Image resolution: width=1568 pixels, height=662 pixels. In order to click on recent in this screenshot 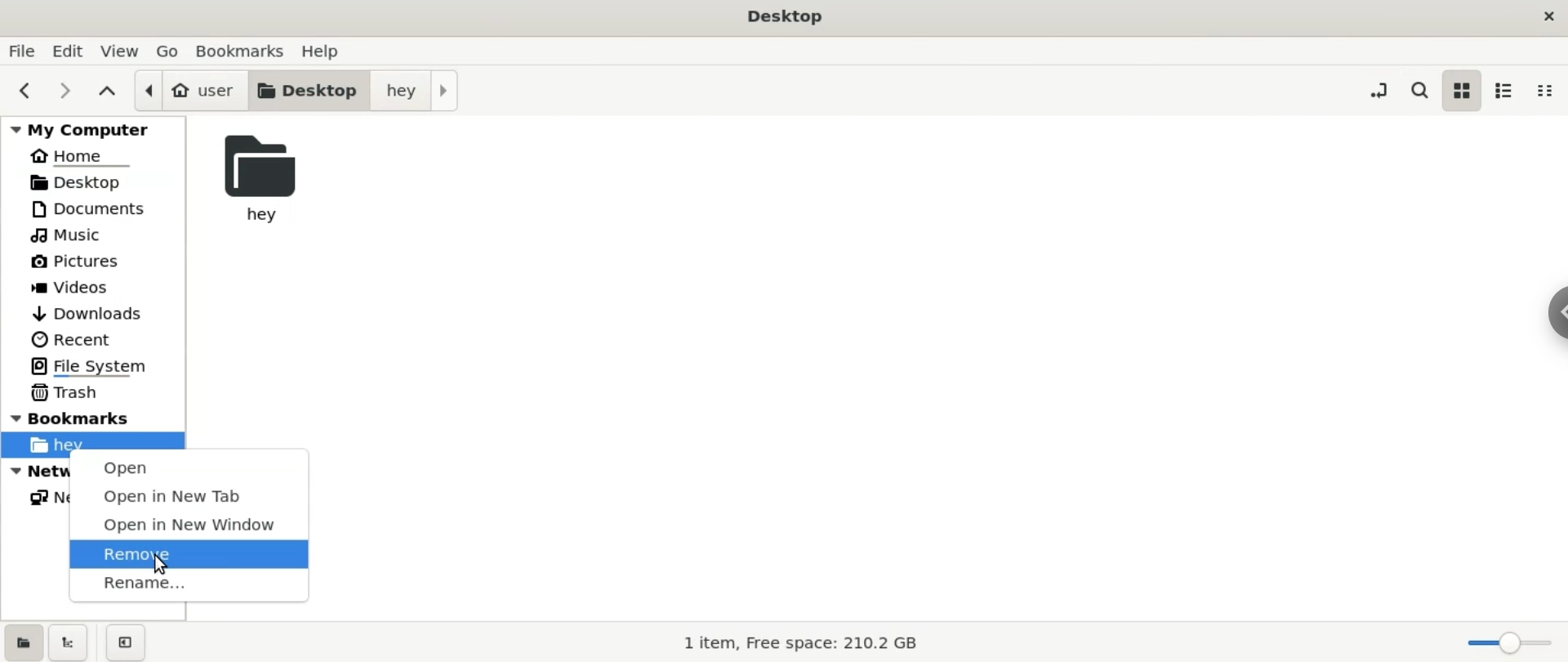, I will do `click(74, 339)`.